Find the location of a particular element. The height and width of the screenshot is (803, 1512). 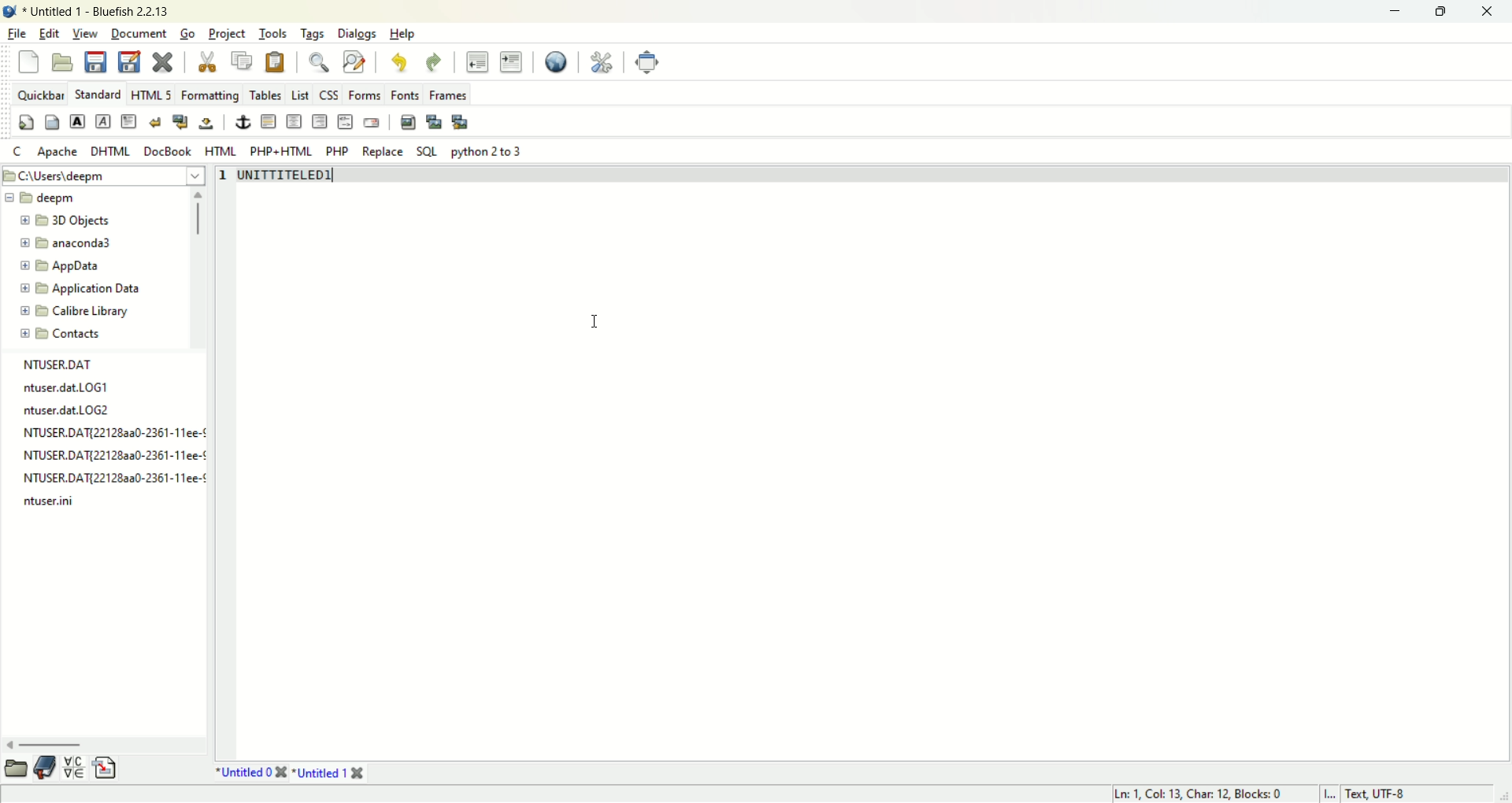

quickbar is located at coordinates (39, 94).